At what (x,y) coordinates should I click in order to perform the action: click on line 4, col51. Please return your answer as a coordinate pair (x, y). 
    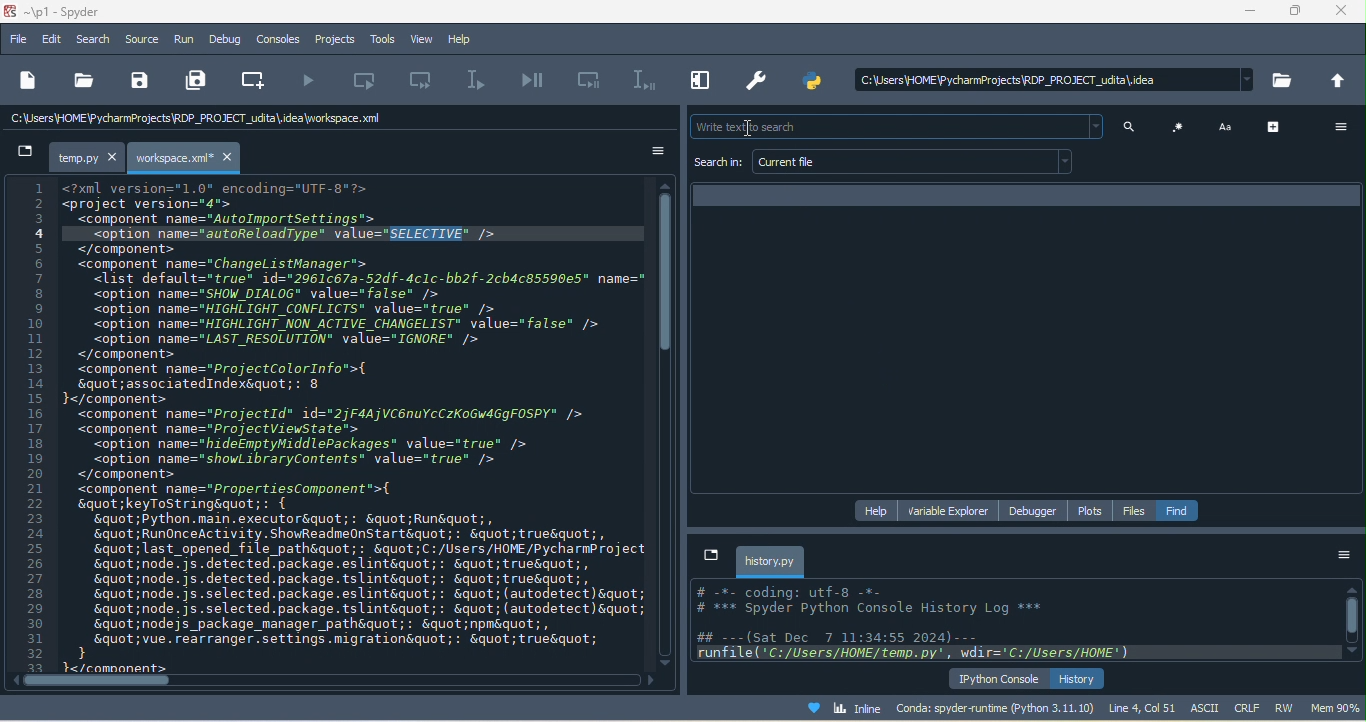
    Looking at the image, I should click on (1142, 707).